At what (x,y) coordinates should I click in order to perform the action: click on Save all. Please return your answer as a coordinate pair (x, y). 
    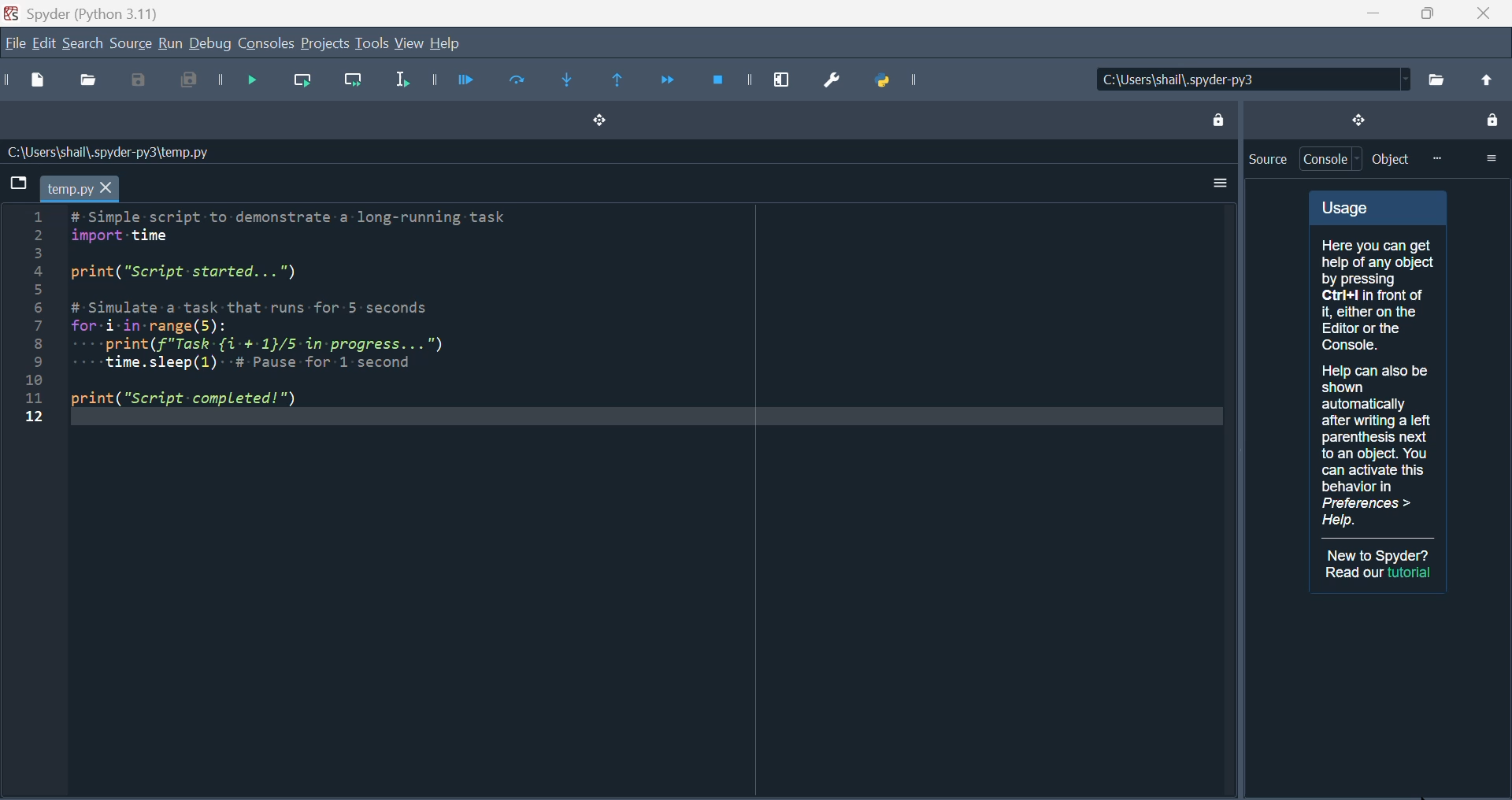
    Looking at the image, I should click on (183, 83).